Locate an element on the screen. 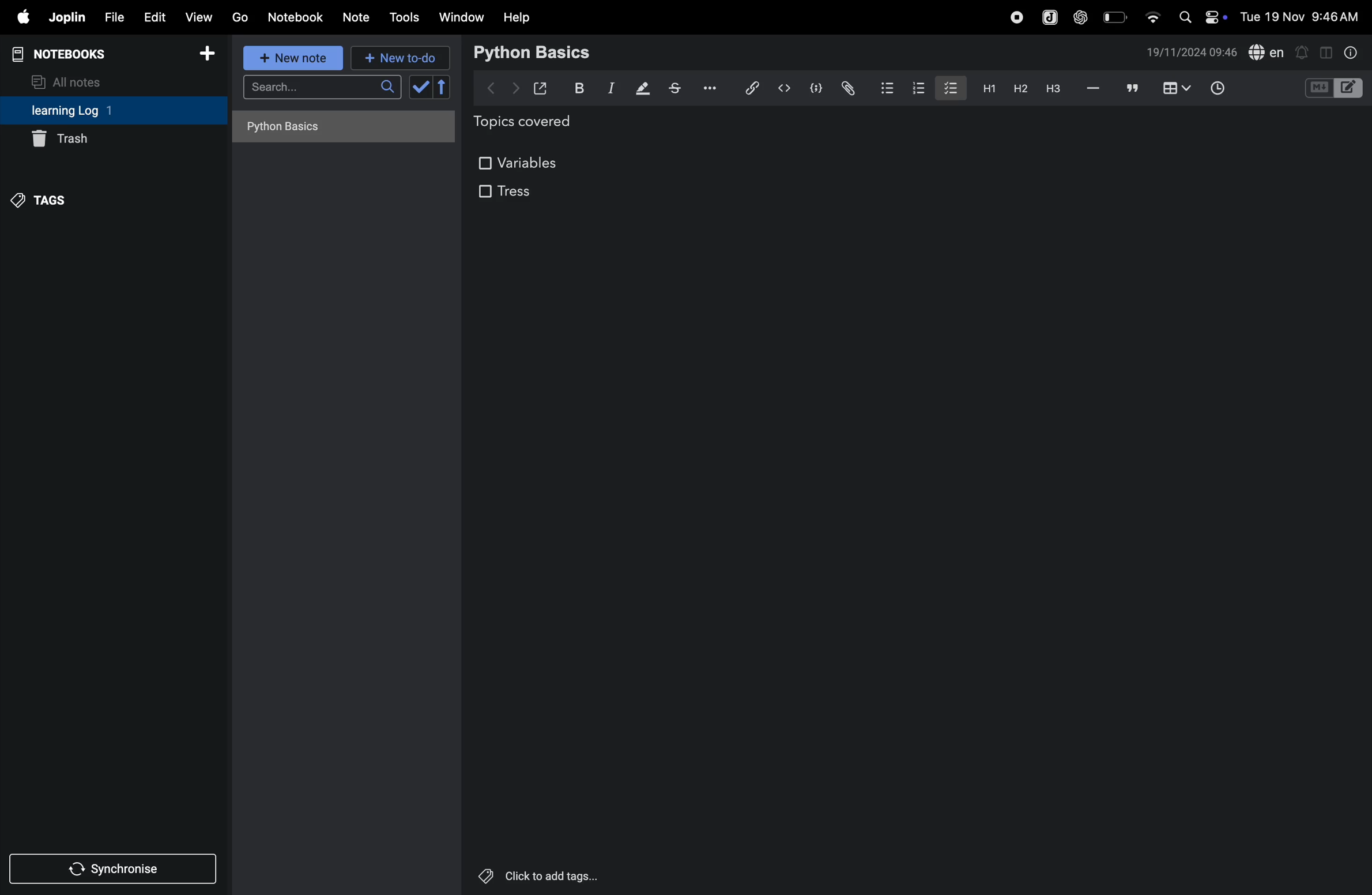  record is located at coordinates (1016, 16).